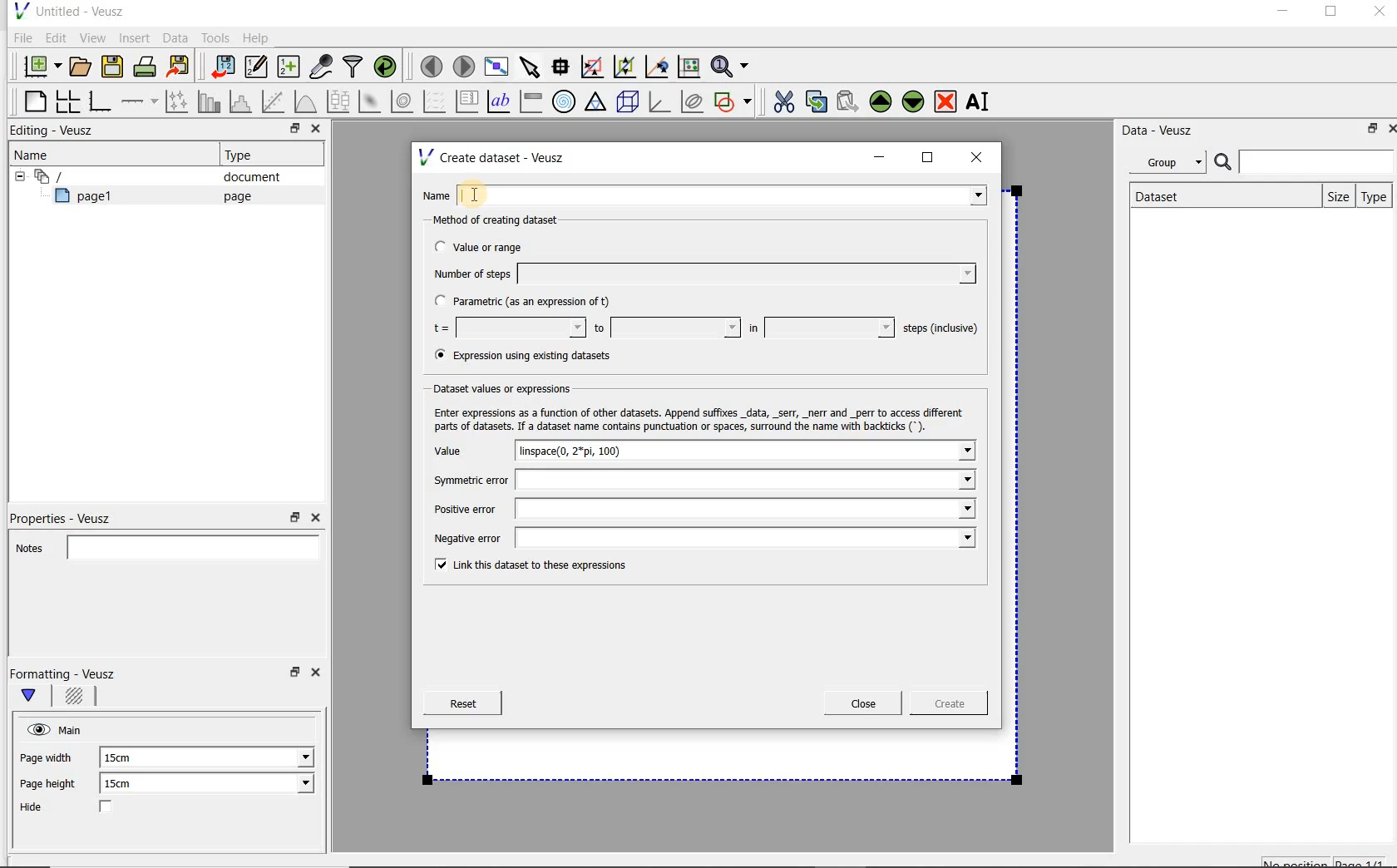 This screenshot has width=1397, height=868. I want to click on 3d graph, so click(660, 103).